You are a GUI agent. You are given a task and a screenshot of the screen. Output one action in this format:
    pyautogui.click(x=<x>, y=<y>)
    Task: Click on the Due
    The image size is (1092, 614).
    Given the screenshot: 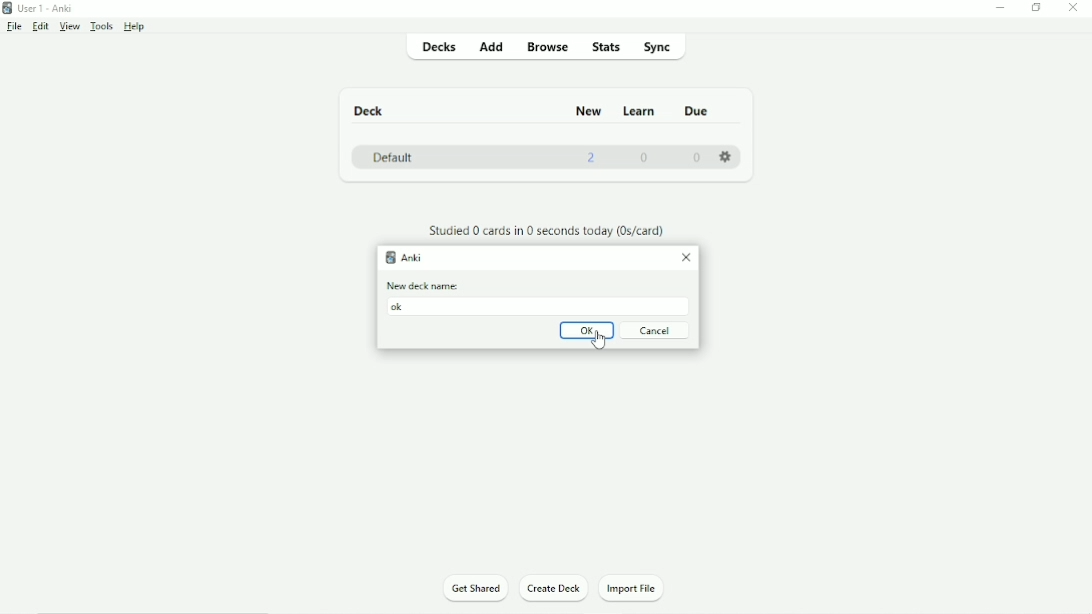 What is the action you would take?
    pyautogui.click(x=695, y=111)
    